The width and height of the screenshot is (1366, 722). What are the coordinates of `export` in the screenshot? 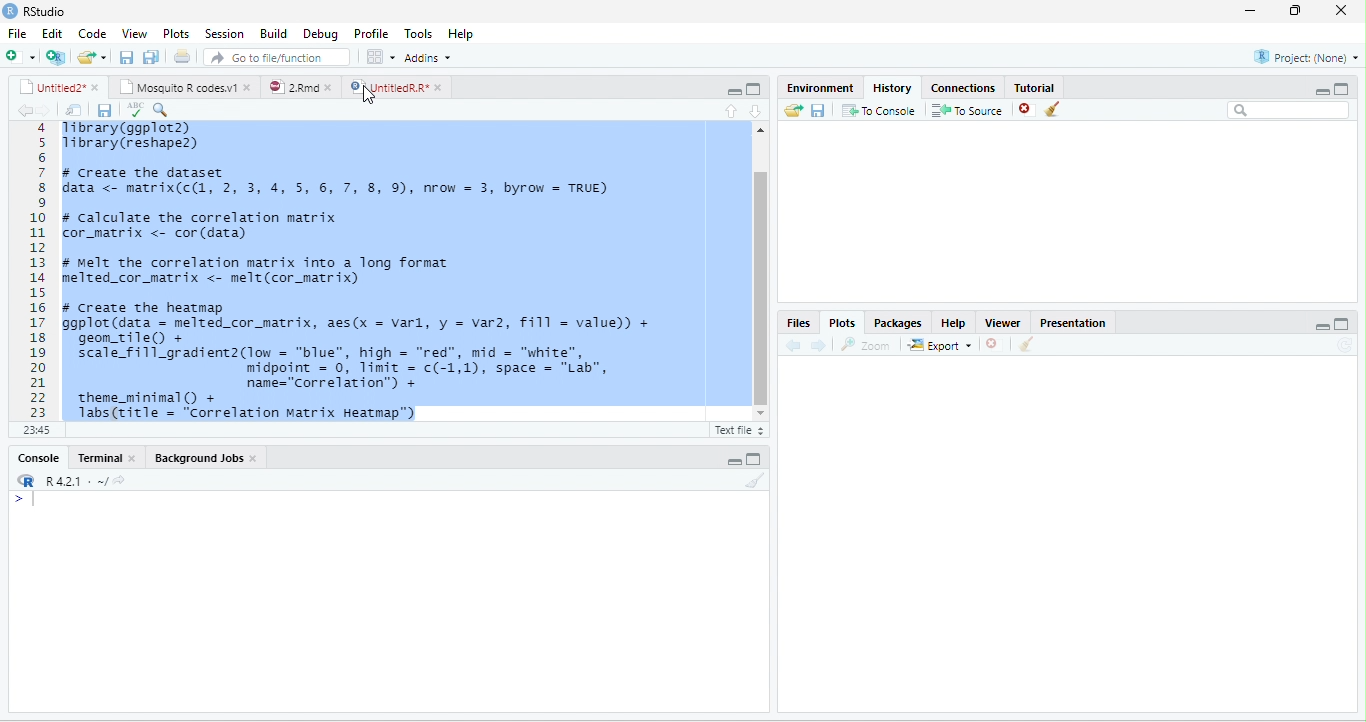 It's located at (940, 347).